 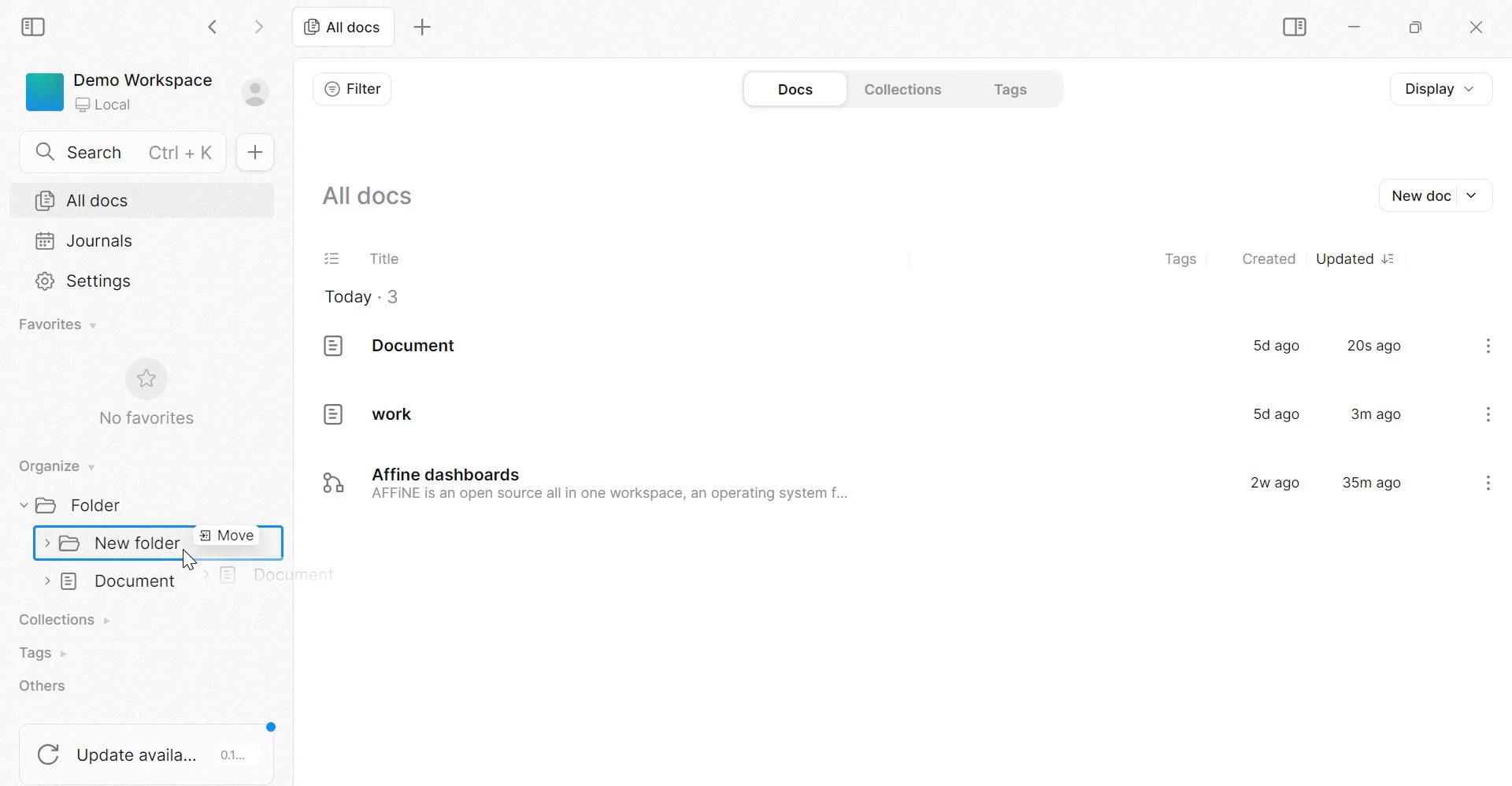 I want to click on All docs, so click(x=84, y=201).